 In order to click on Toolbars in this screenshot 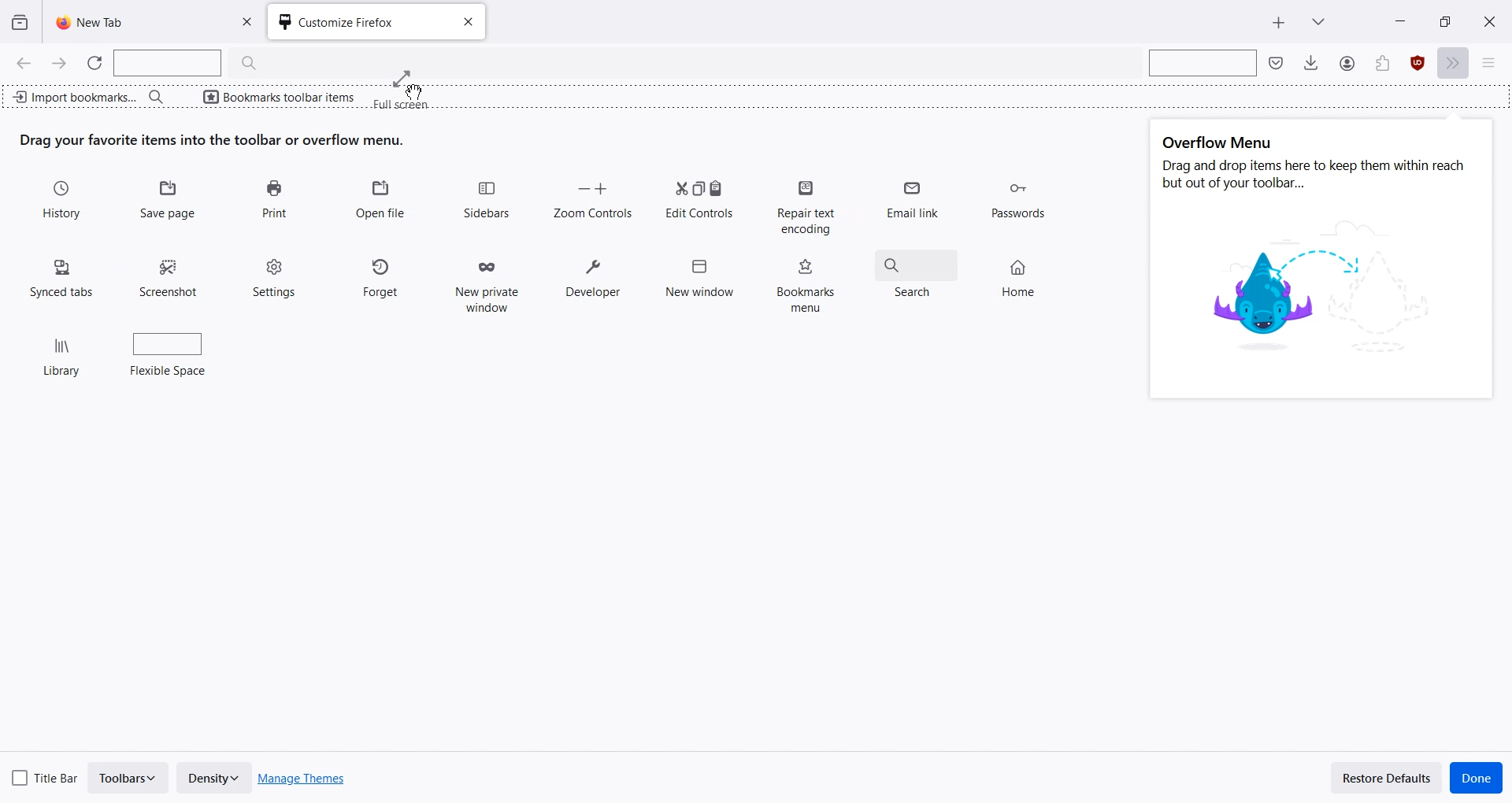, I will do `click(129, 778)`.